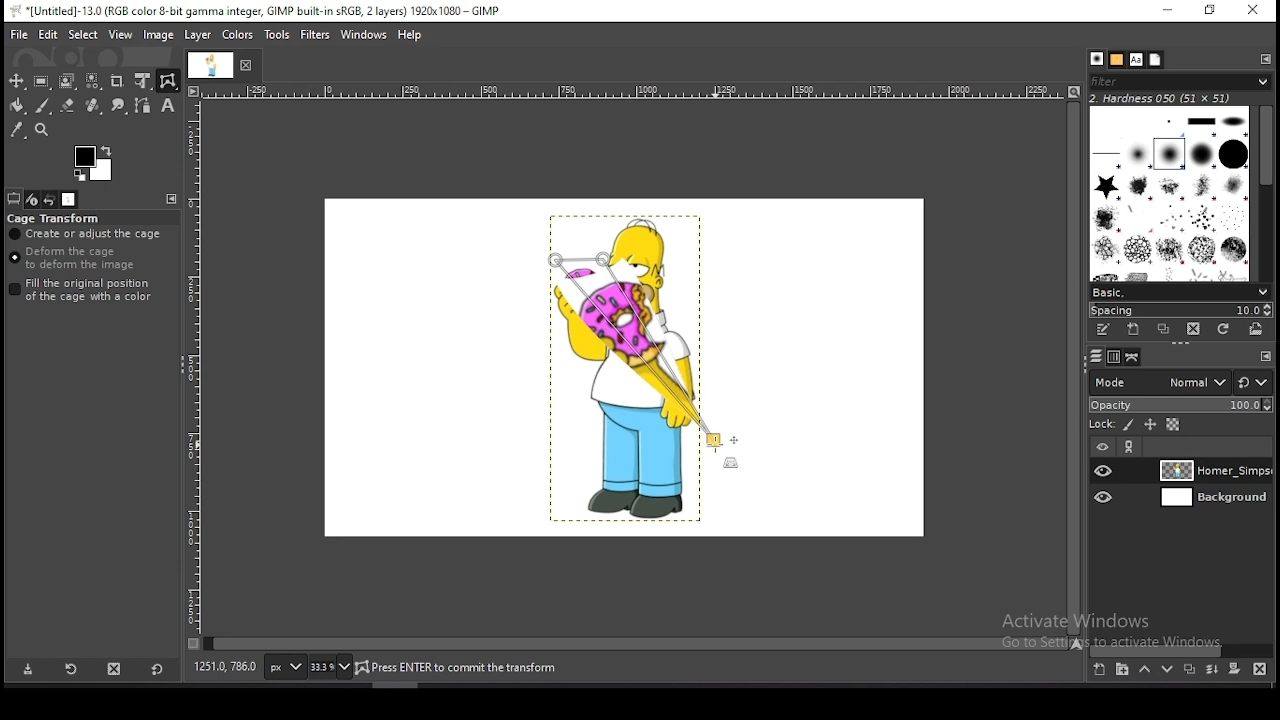  What do you see at coordinates (199, 36) in the screenshot?
I see `layer` at bounding box center [199, 36].